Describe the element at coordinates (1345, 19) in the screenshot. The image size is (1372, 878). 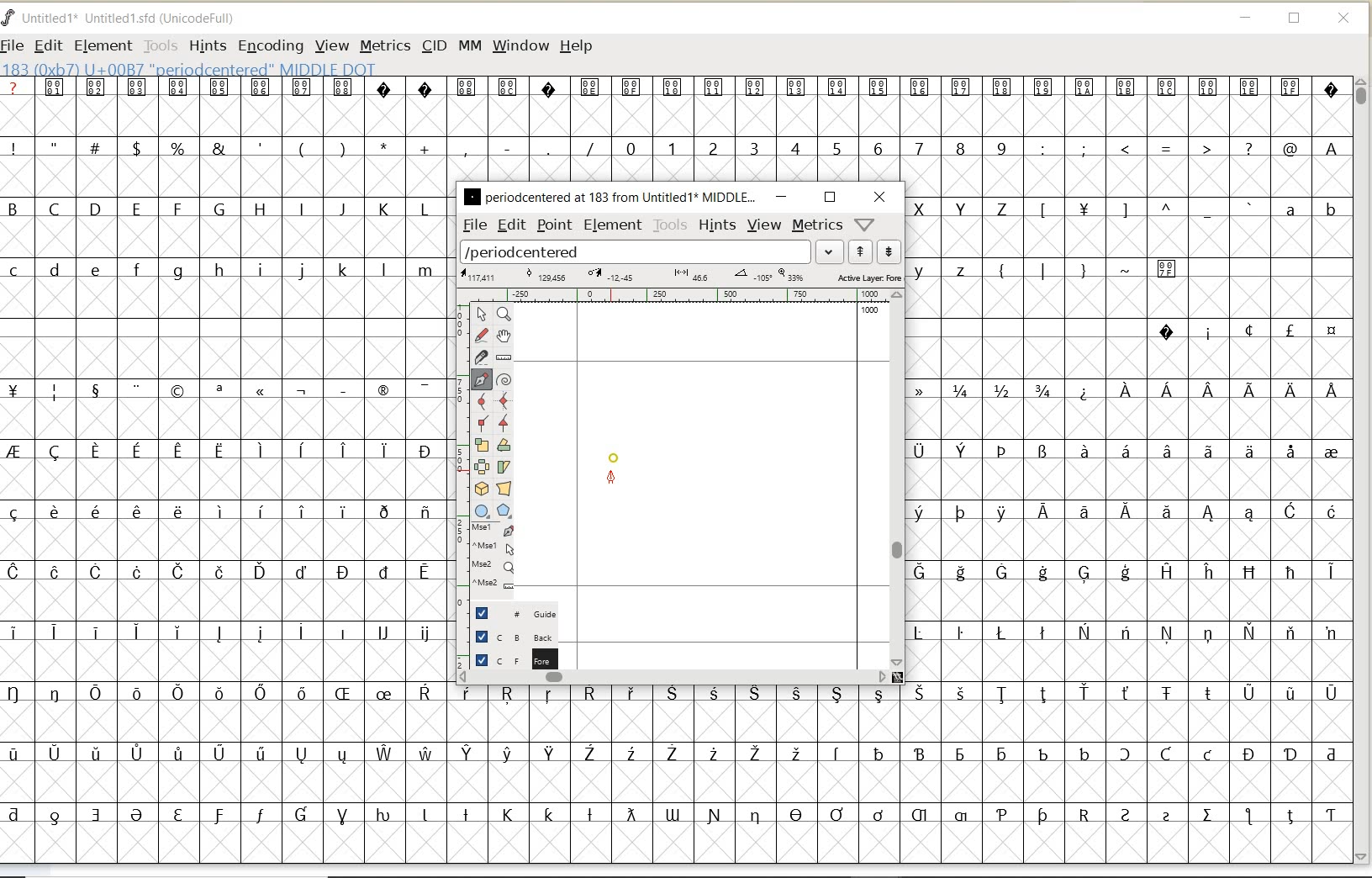
I see `CLOSE` at that location.